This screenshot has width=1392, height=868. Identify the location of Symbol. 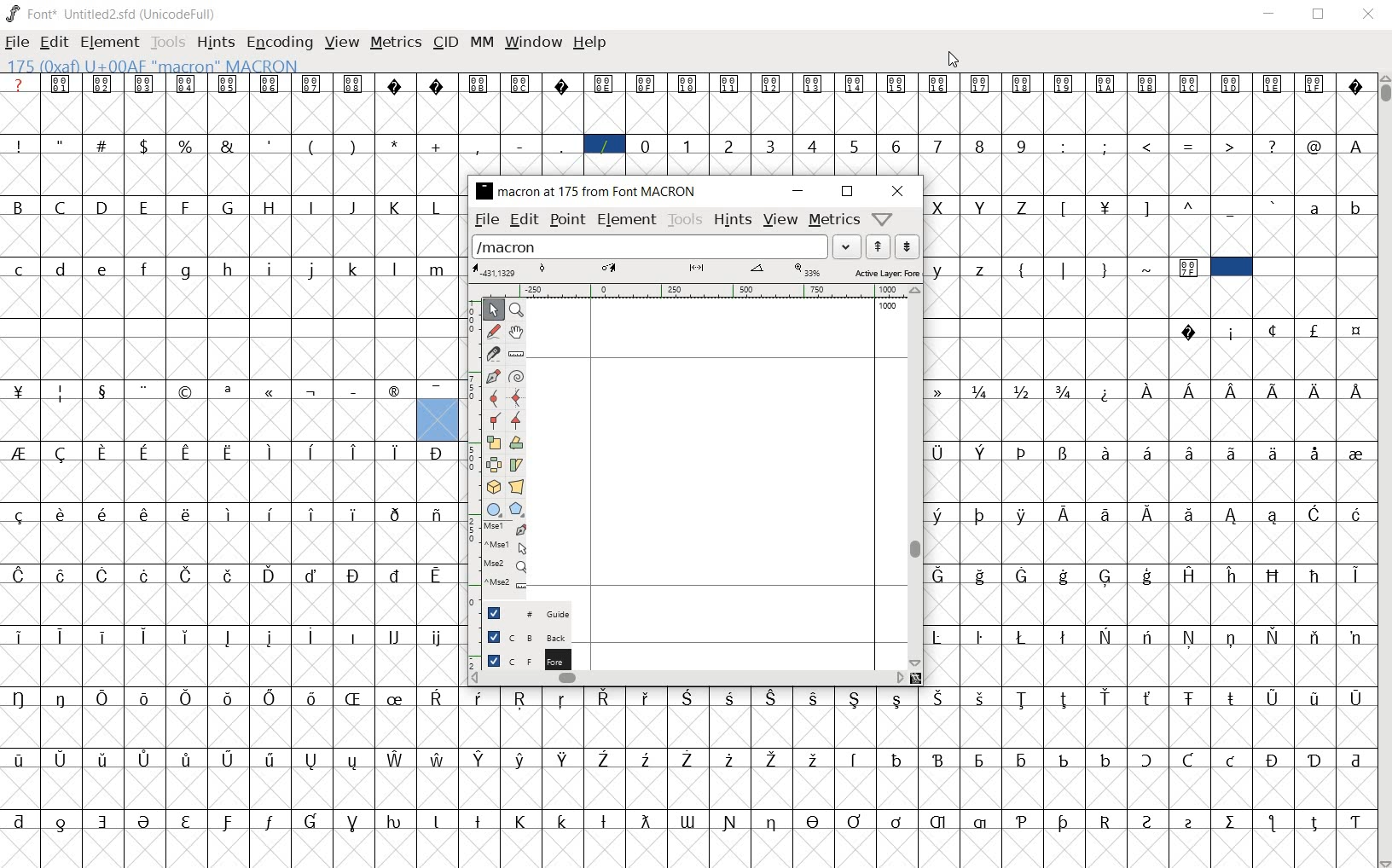
(314, 391).